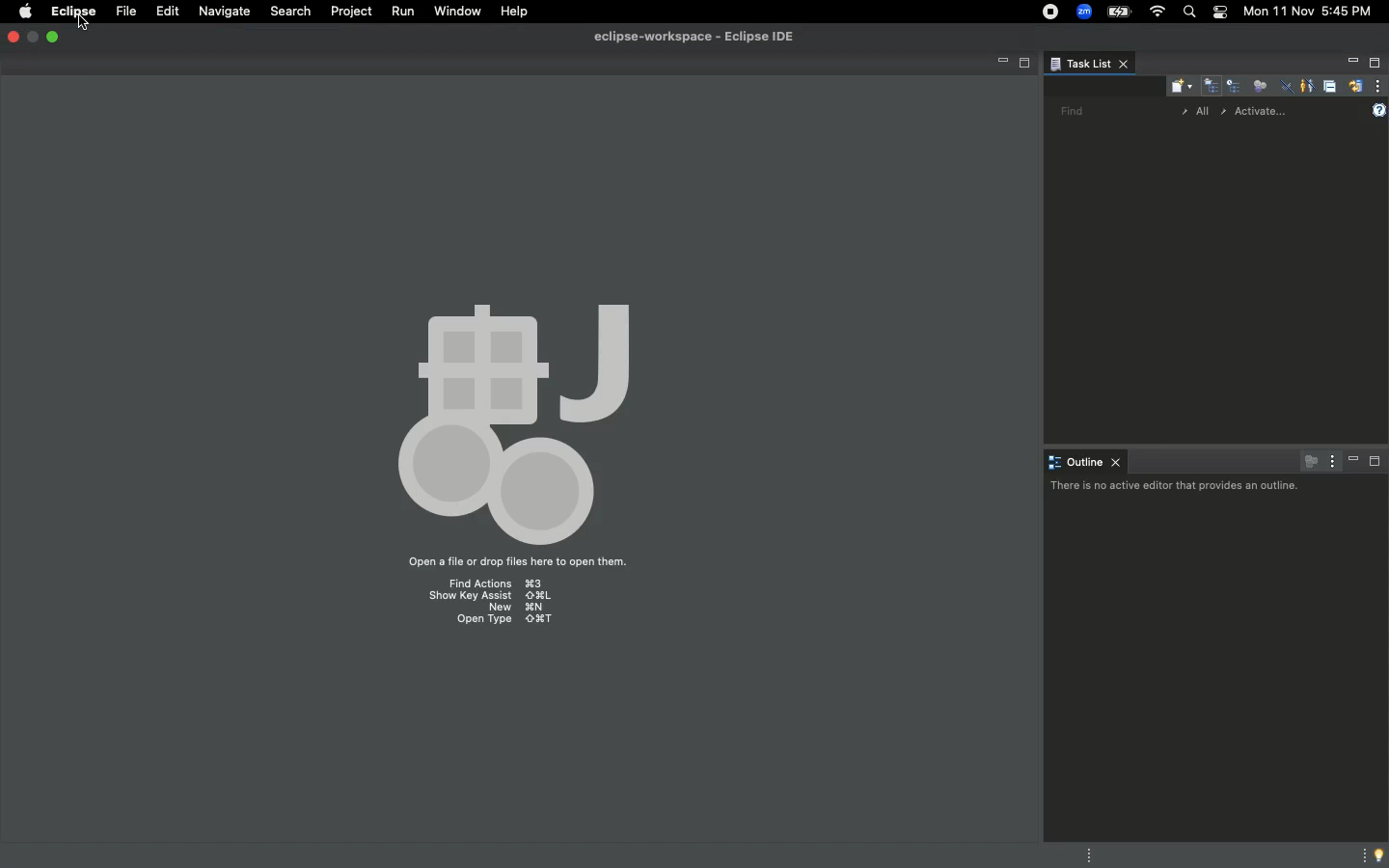 The image size is (1389, 868). I want to click on Navigate, so click(224, 11).